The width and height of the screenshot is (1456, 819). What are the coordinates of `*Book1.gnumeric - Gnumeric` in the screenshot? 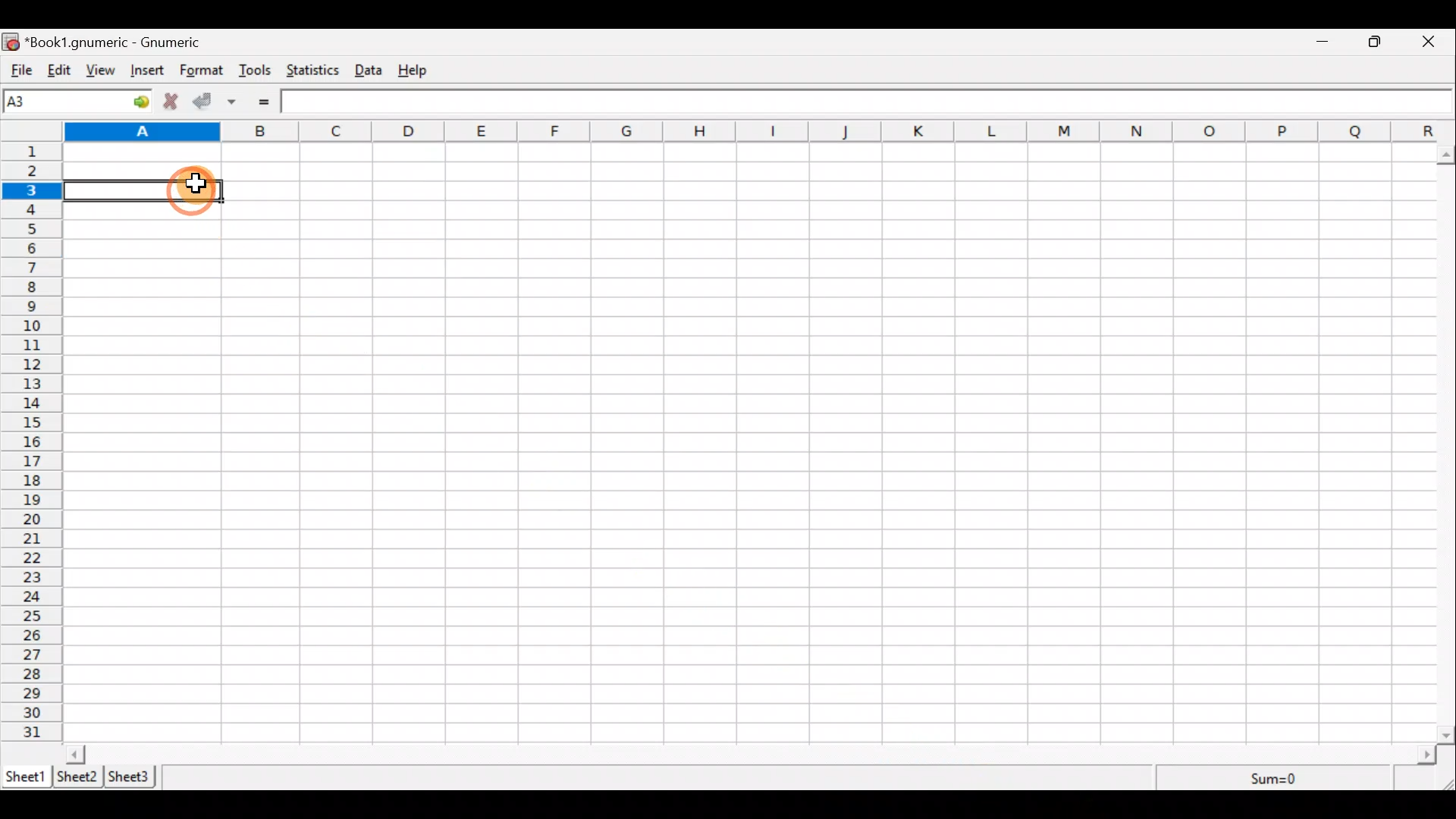 It's located at (118, 41).